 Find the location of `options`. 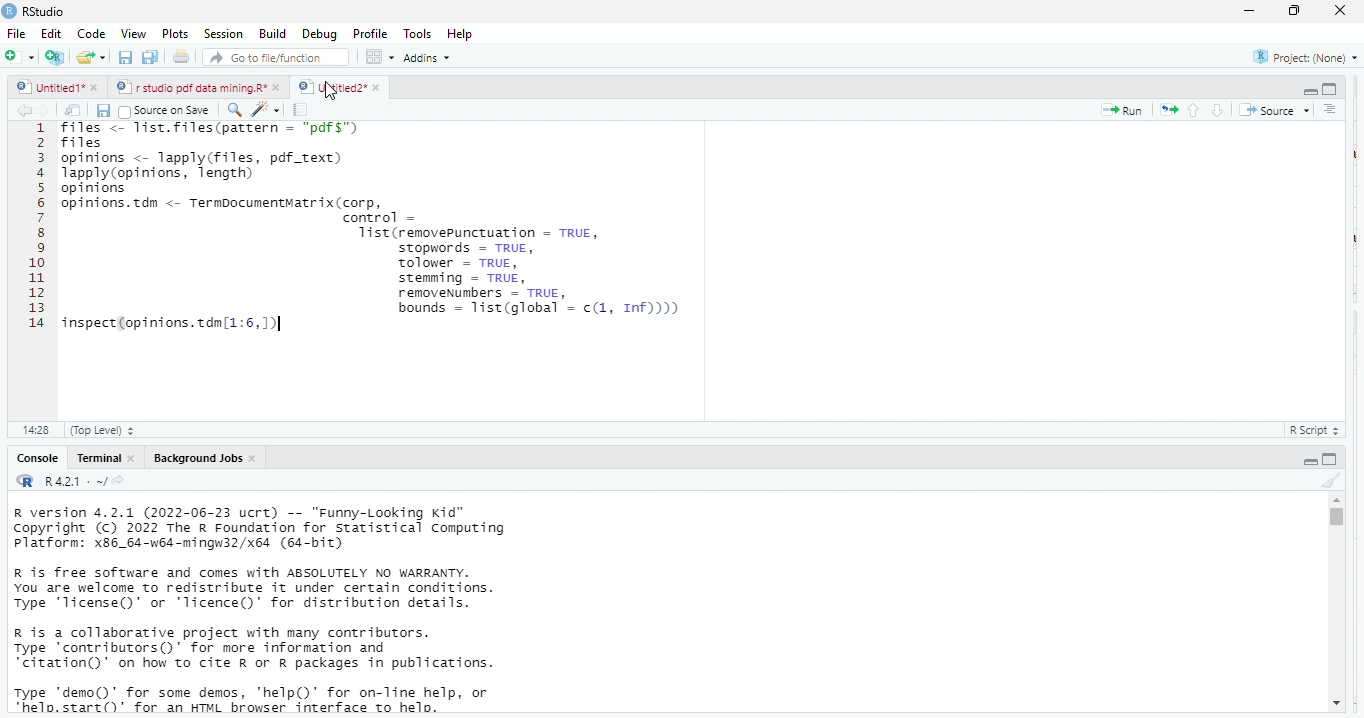

options is located at coordinates (381, 56).